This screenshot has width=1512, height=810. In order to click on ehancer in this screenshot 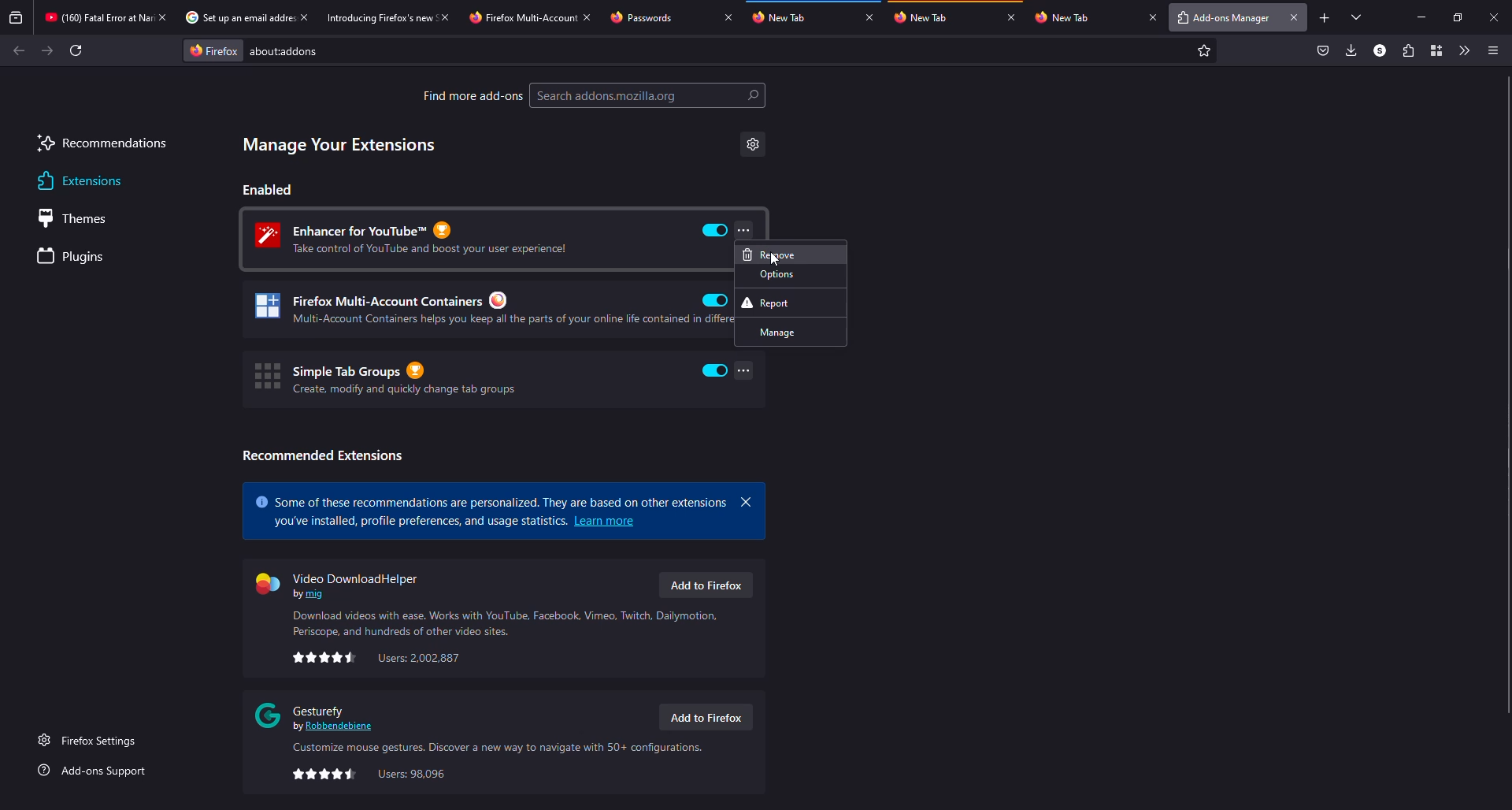, I will do `click(421, 239)`.